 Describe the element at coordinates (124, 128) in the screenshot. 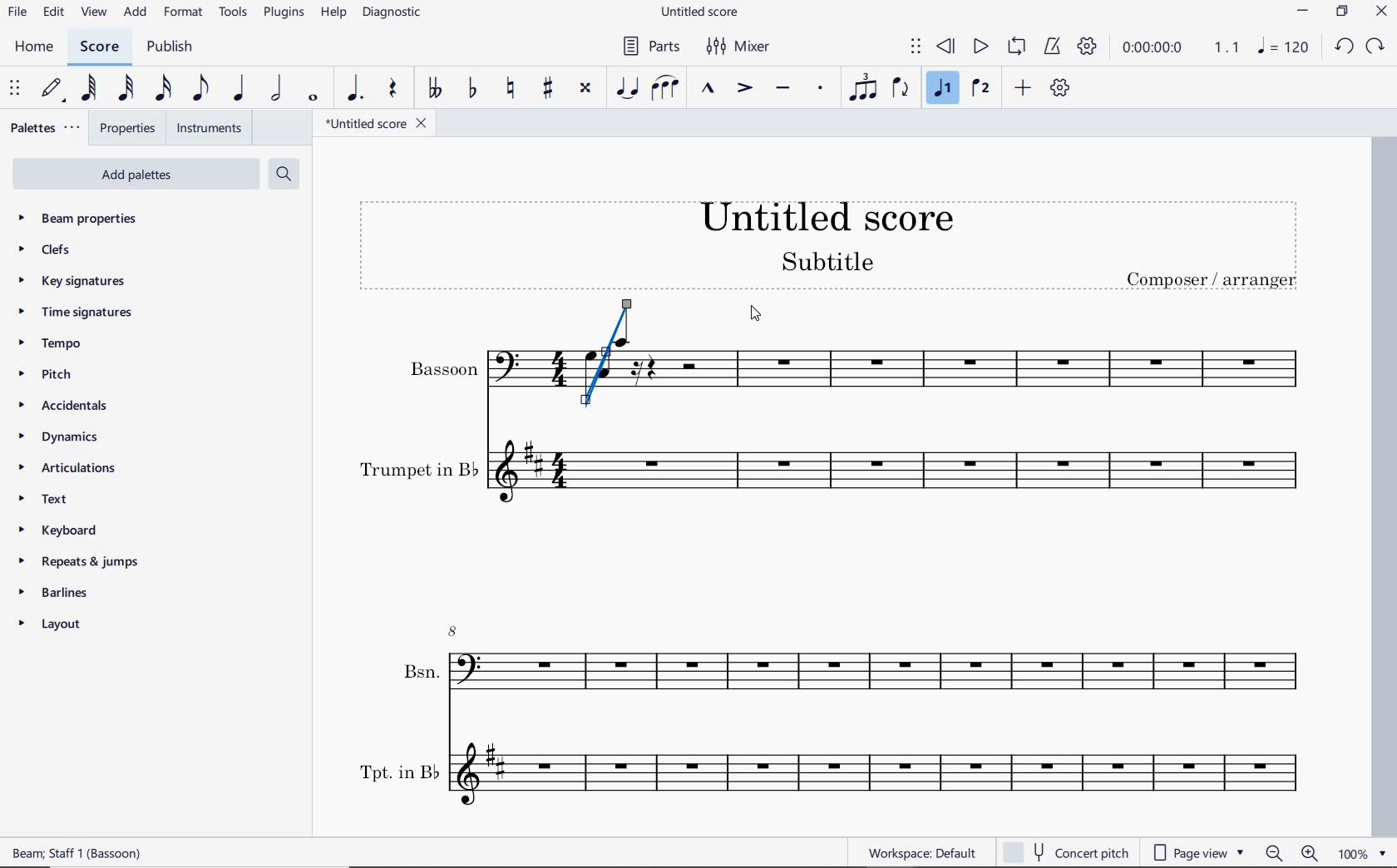

I see `properties` at that location.